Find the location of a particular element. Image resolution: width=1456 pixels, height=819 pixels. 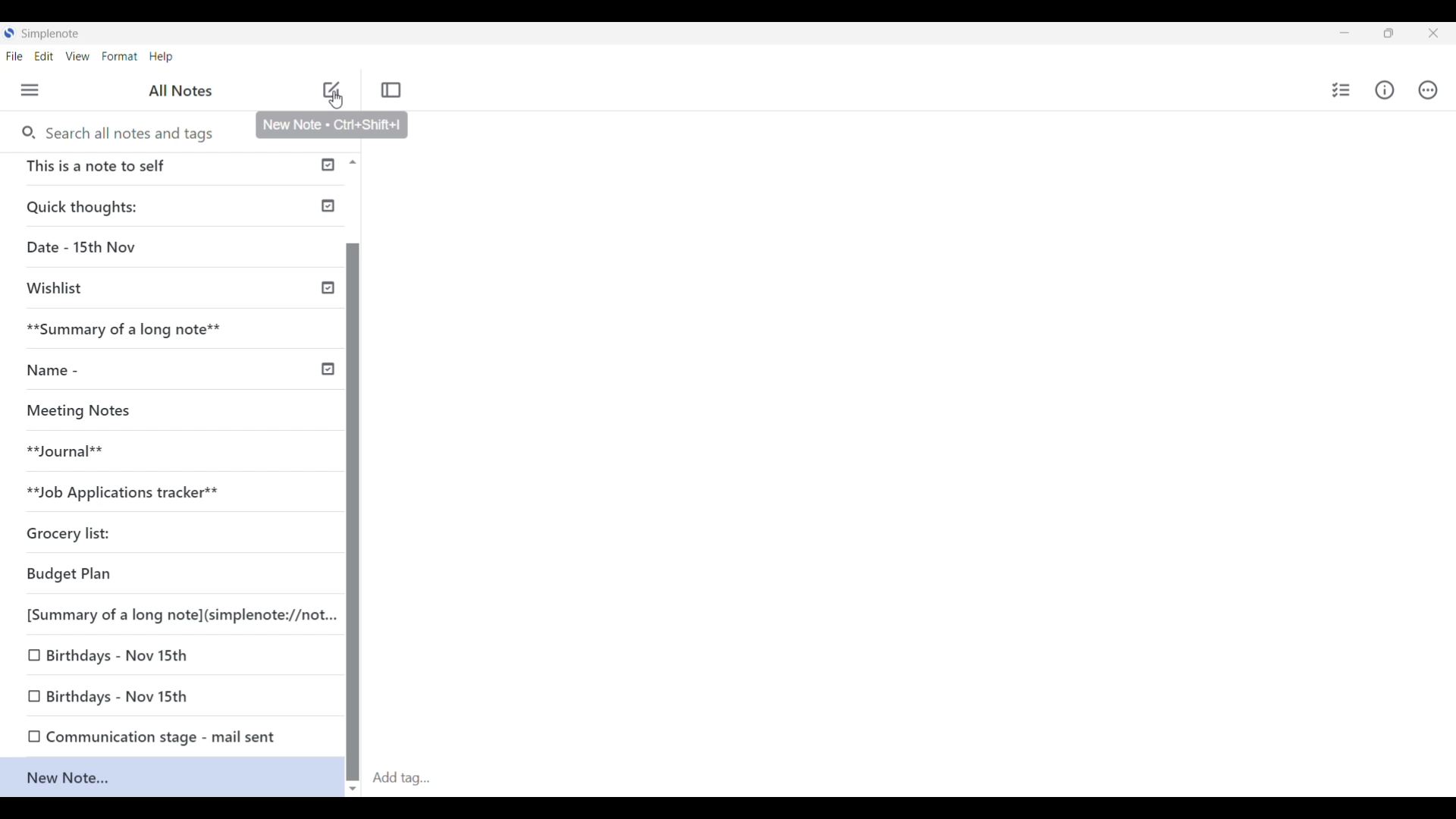

Grocery list: is located at coordinates (124, 533).